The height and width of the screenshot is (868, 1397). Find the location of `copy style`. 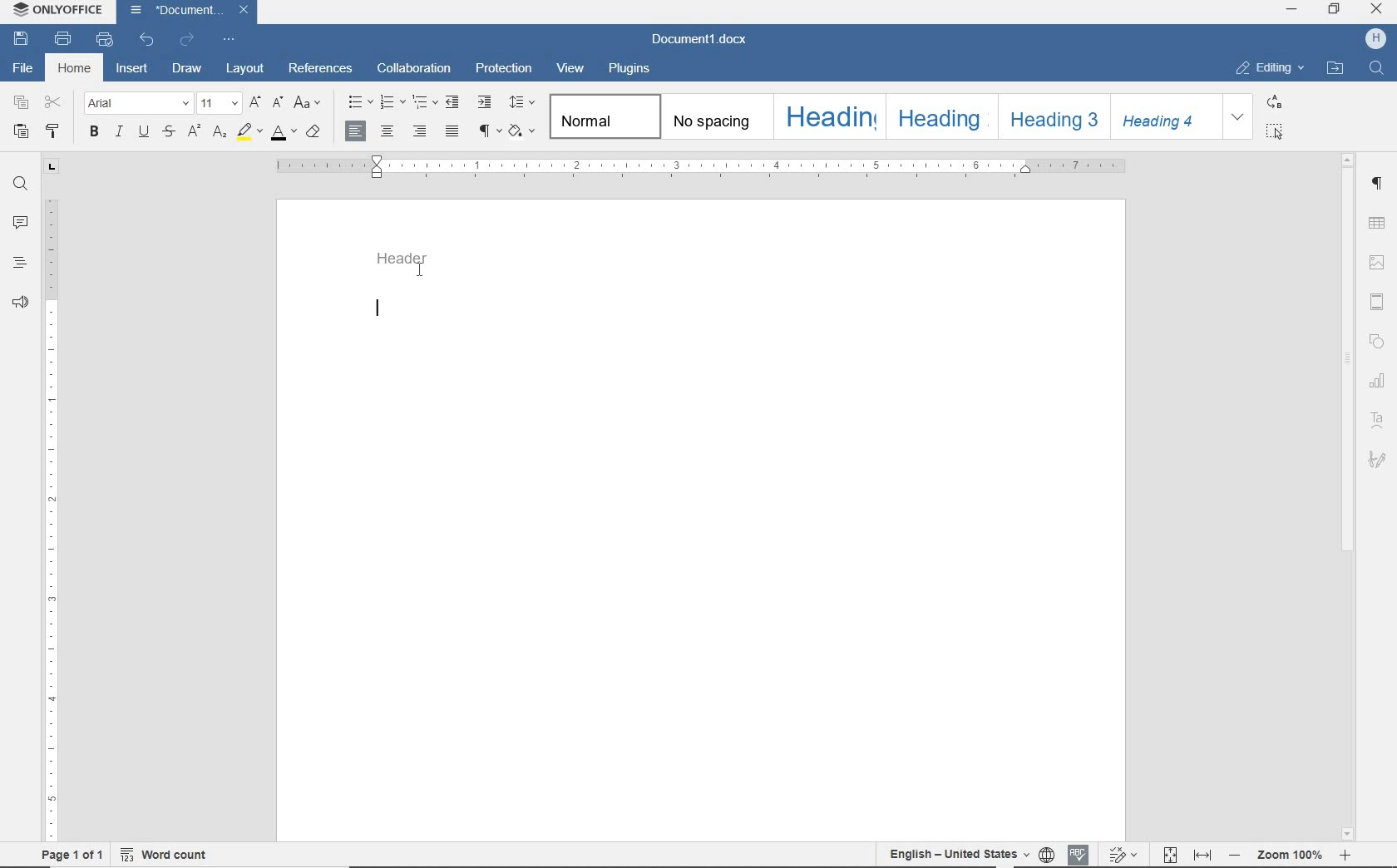

copy style is located at coordinates (55, 131).